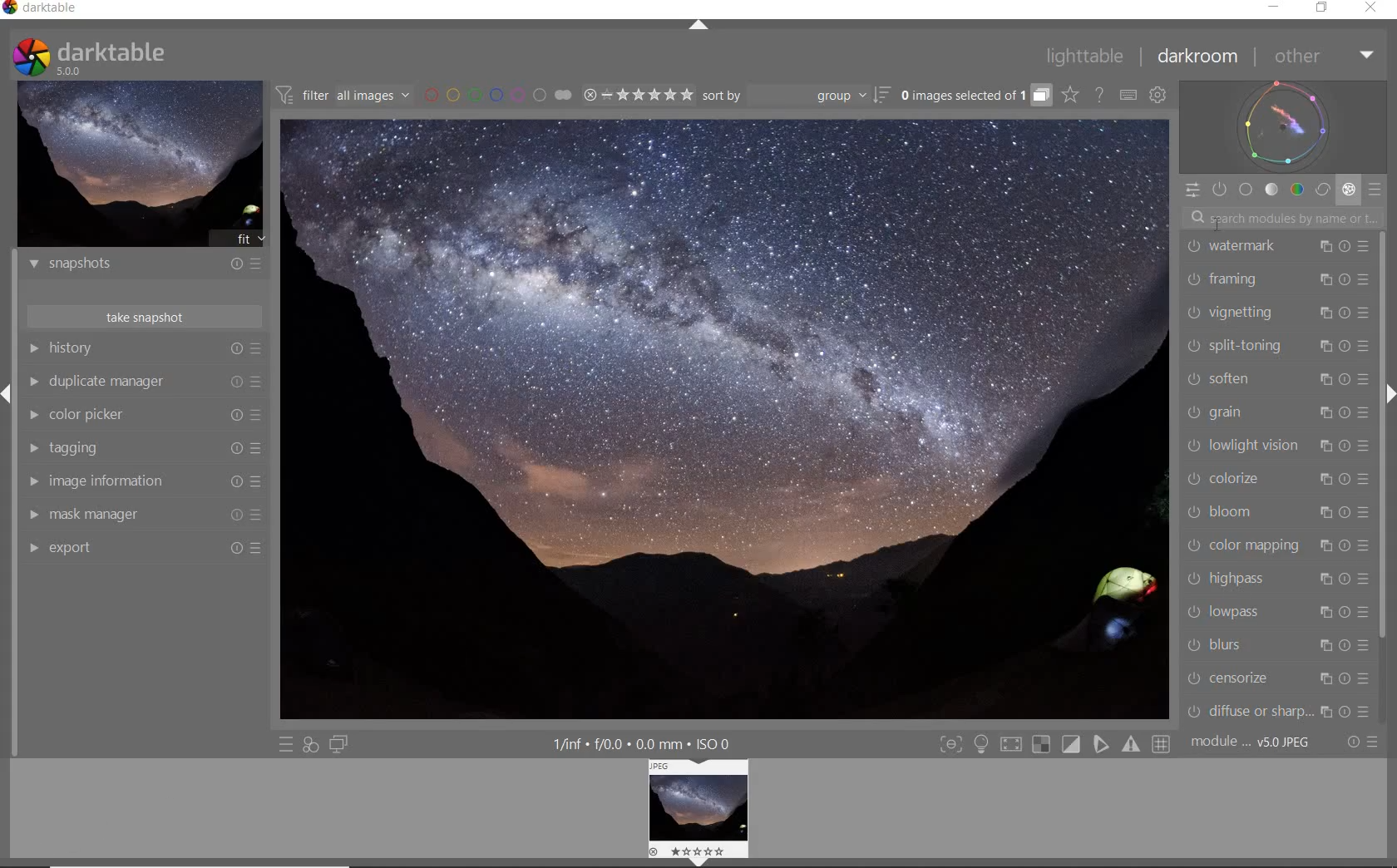 This screenshot has width=1397, height=868. I want to click on SELECTED IMAGE, so click(726, 418).